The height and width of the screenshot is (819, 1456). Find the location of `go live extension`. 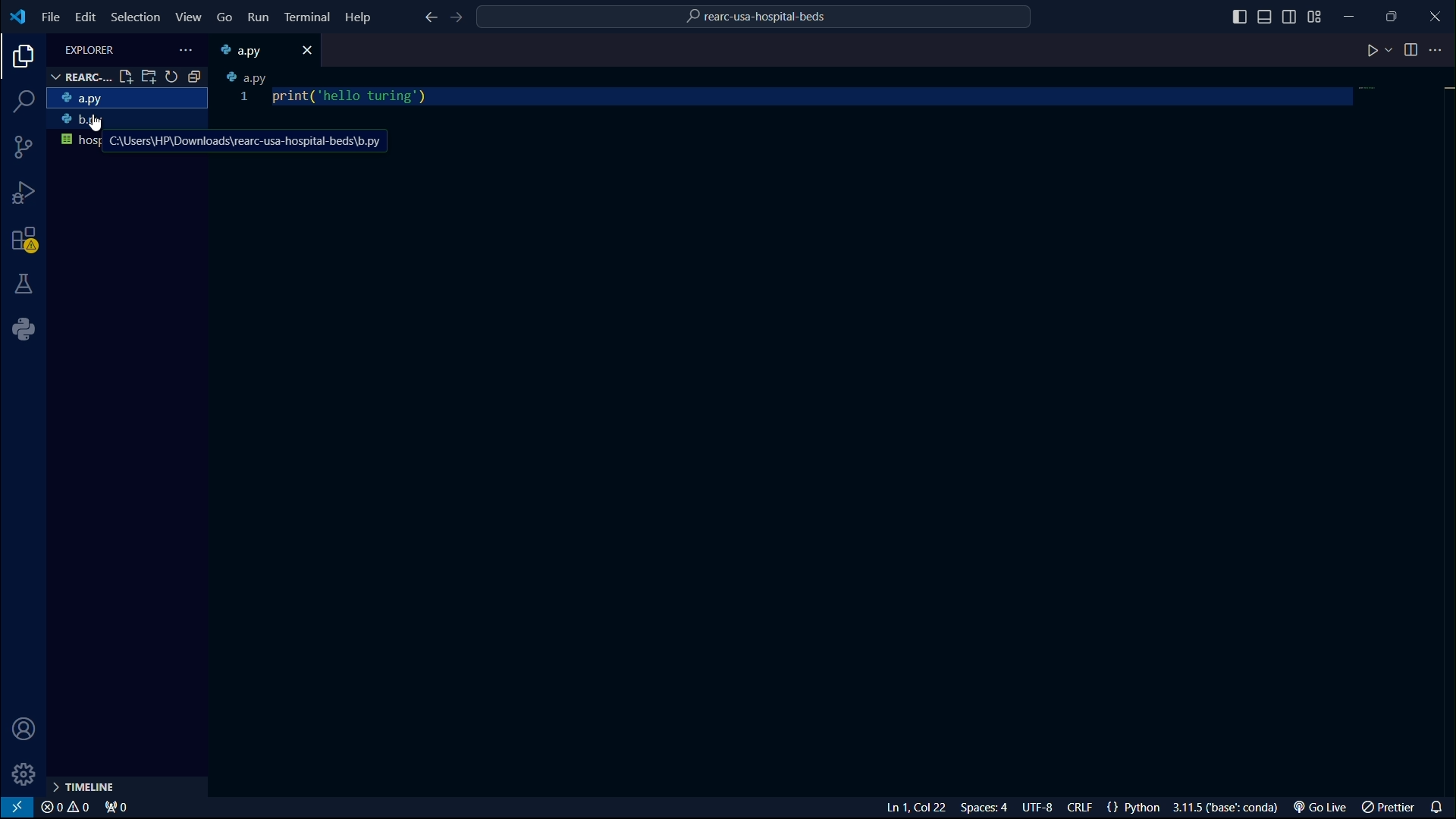

go live extension is located at coordinates (1317, 807).